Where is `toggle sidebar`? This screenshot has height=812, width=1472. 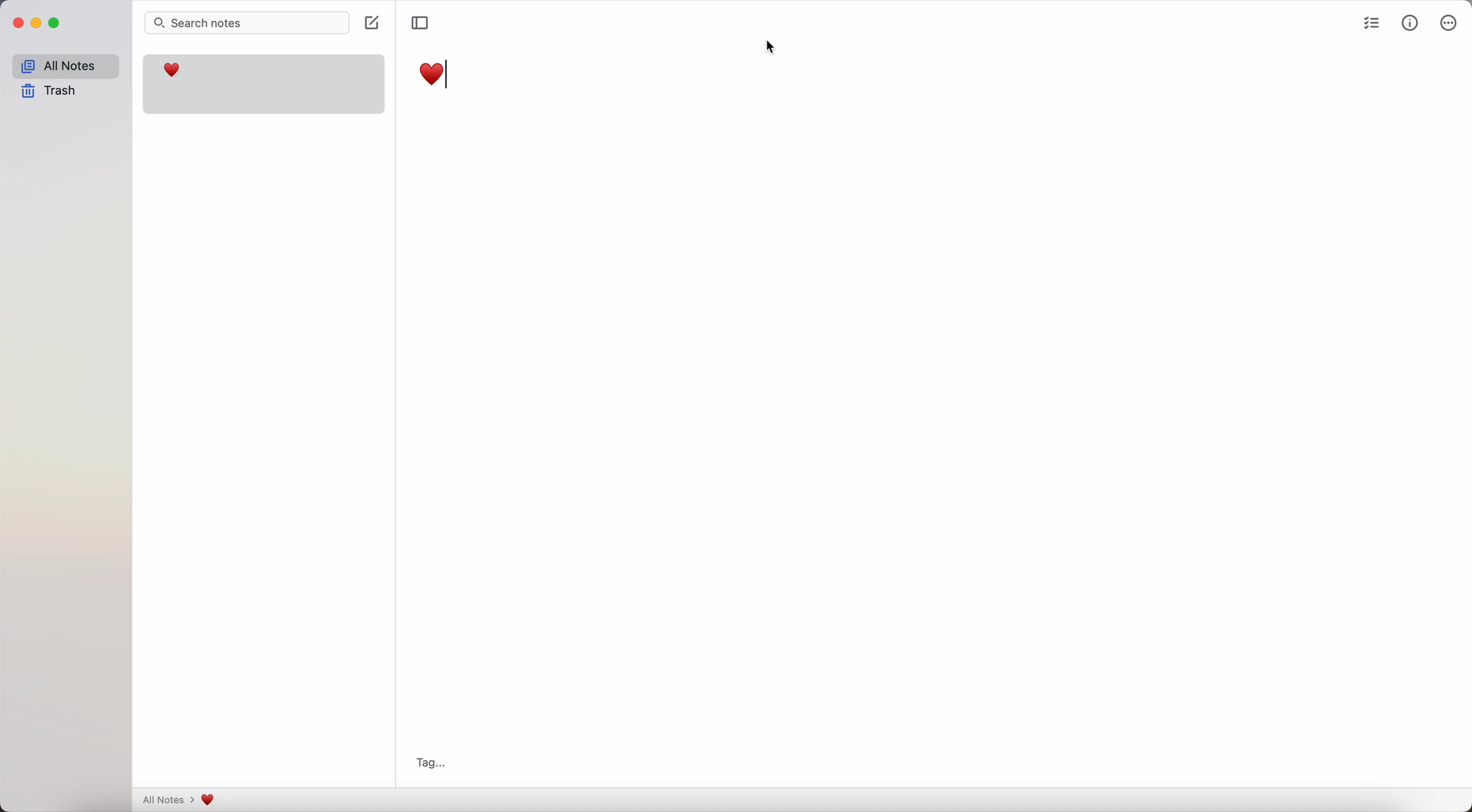 toggle sidebar is located at coordinates (422, 22).